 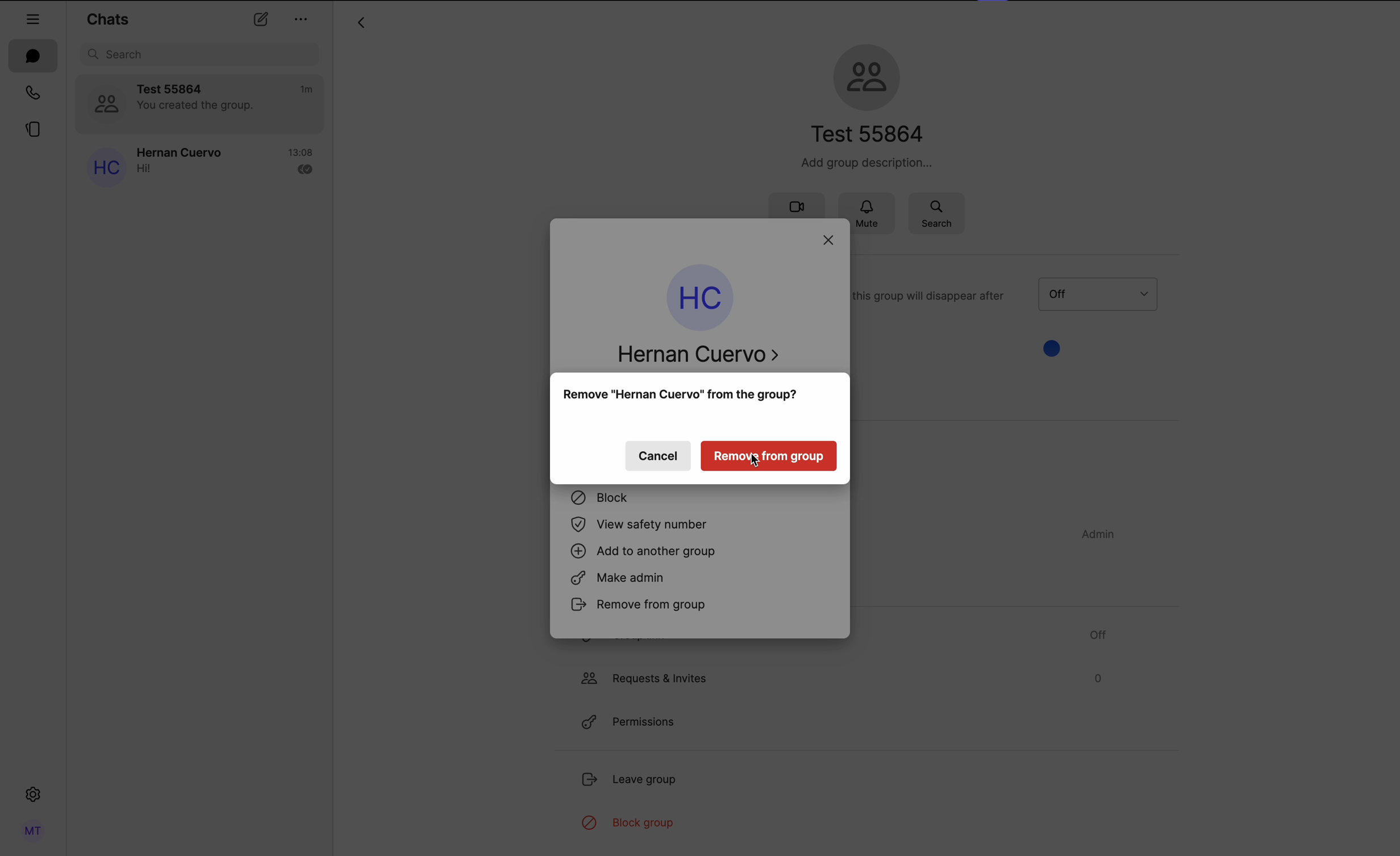 What do you see at coordinates (658, 458) in the screenshot?
I see `cancel button` at bounding box center [658, 458].